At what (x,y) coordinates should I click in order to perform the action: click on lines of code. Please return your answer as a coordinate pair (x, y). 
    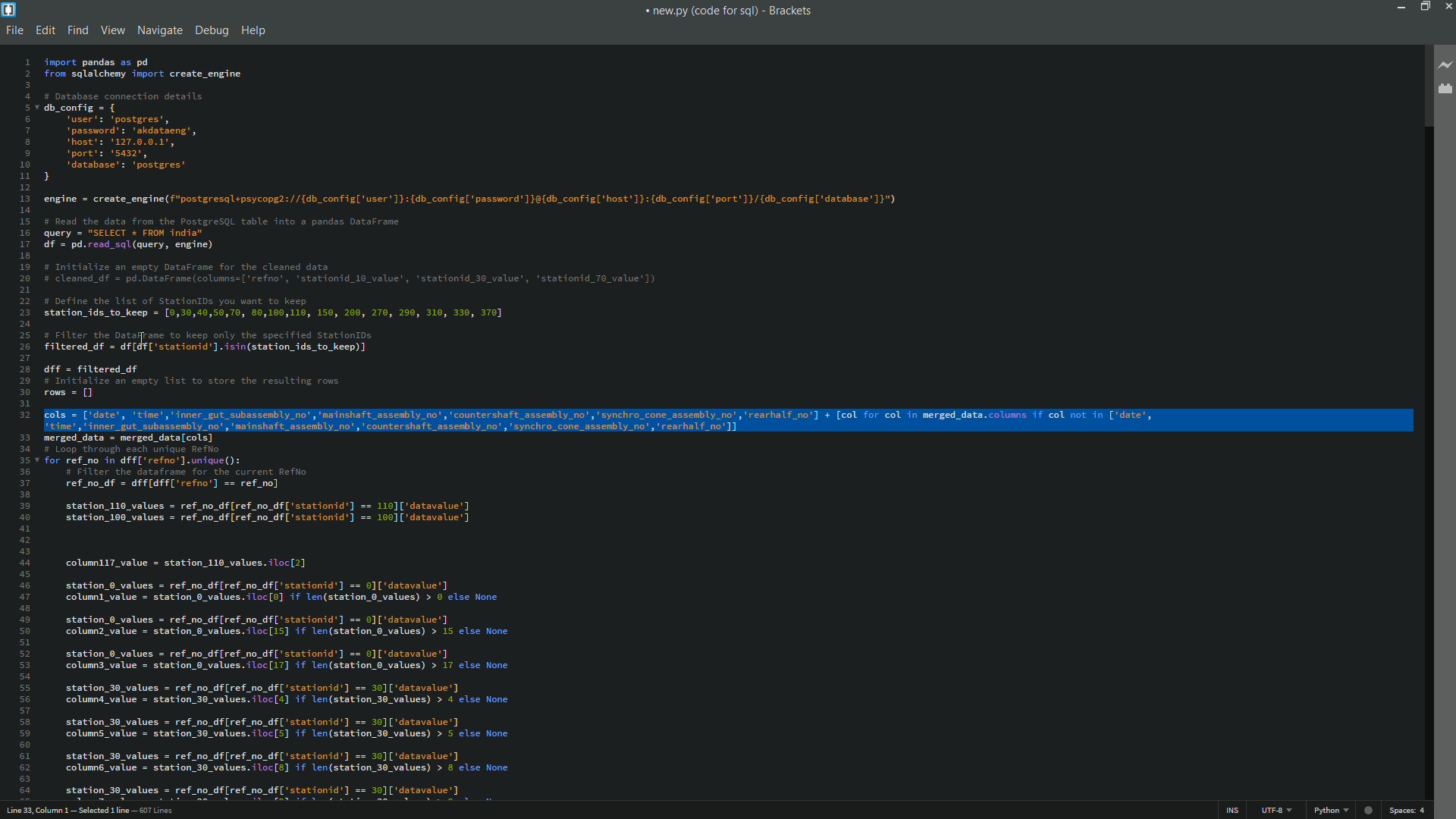
    Looking at the image, I should click on (726, 615).